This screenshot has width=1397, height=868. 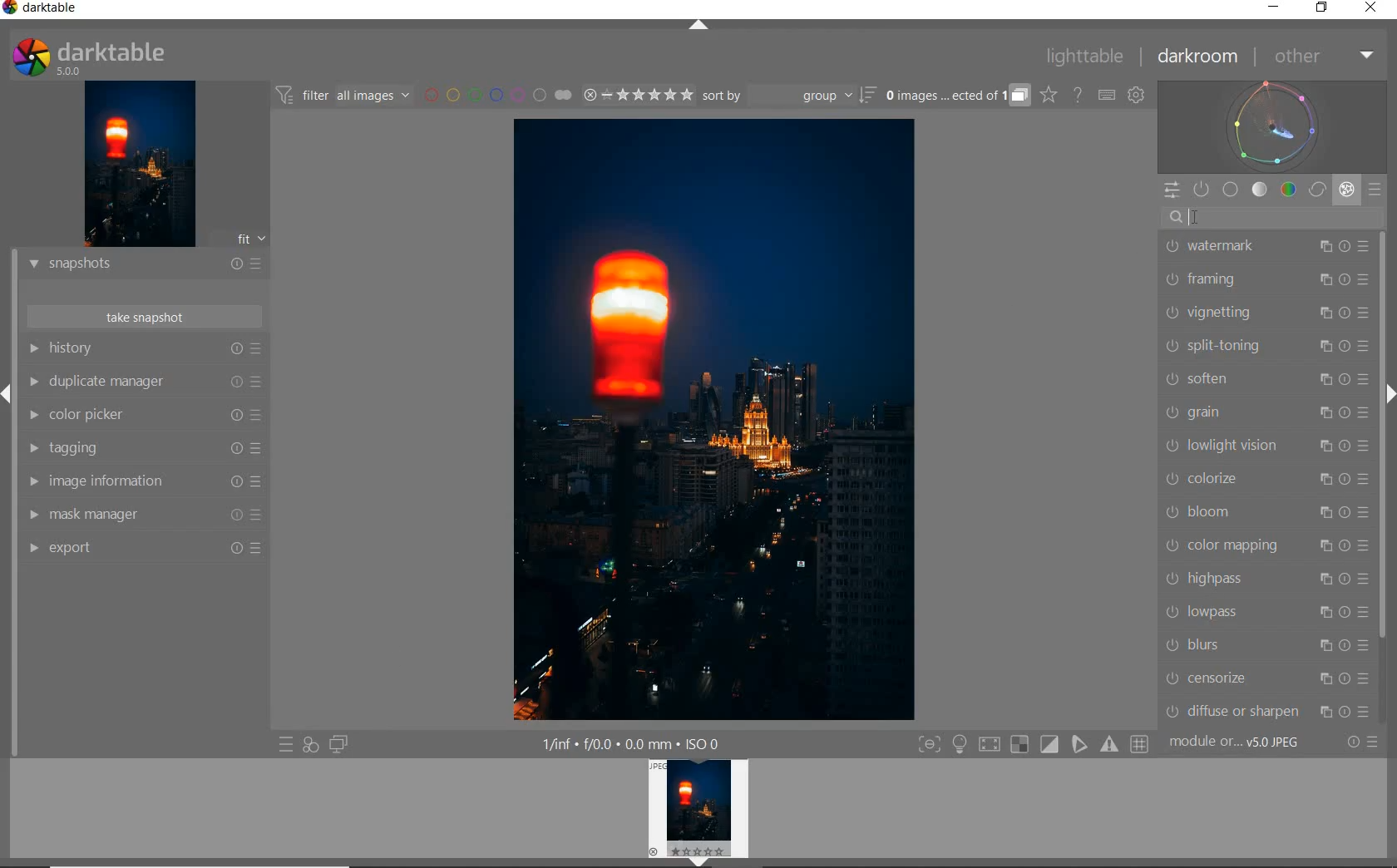 I want to click on MINIMIZE, so click(x=1271, y=8).